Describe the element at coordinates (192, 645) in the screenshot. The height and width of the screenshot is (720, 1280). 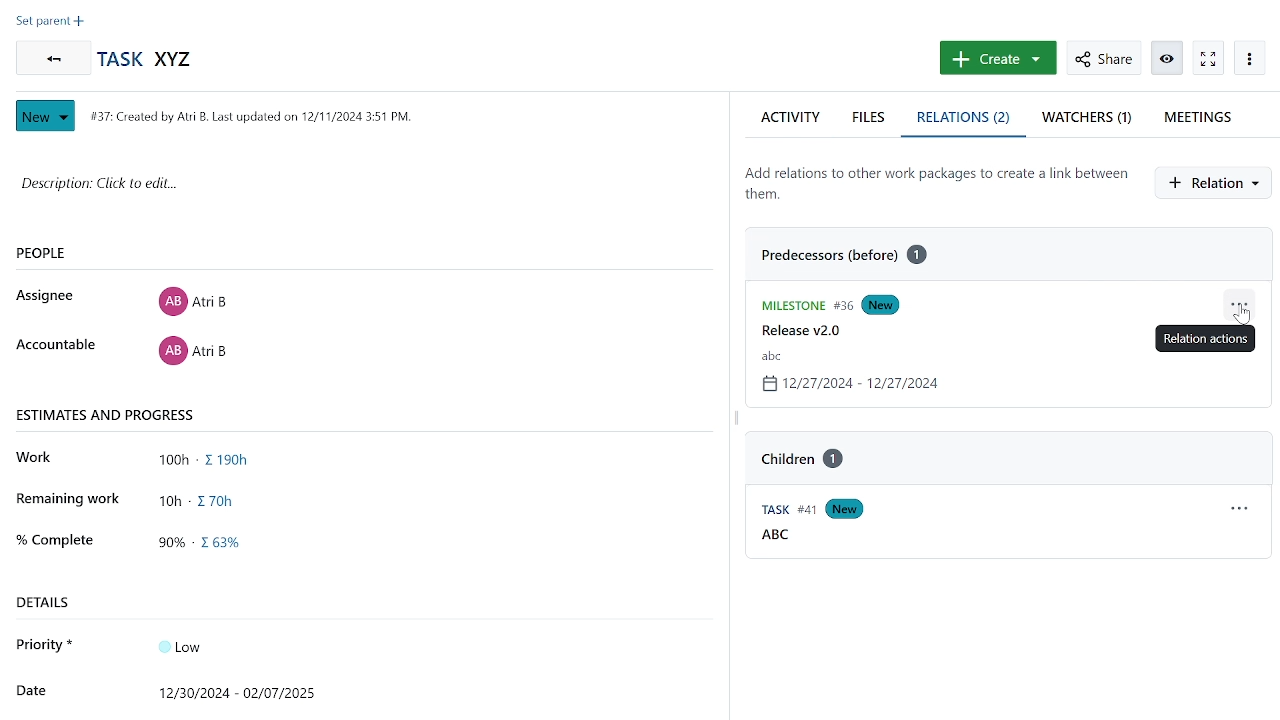
I see `` at that location.